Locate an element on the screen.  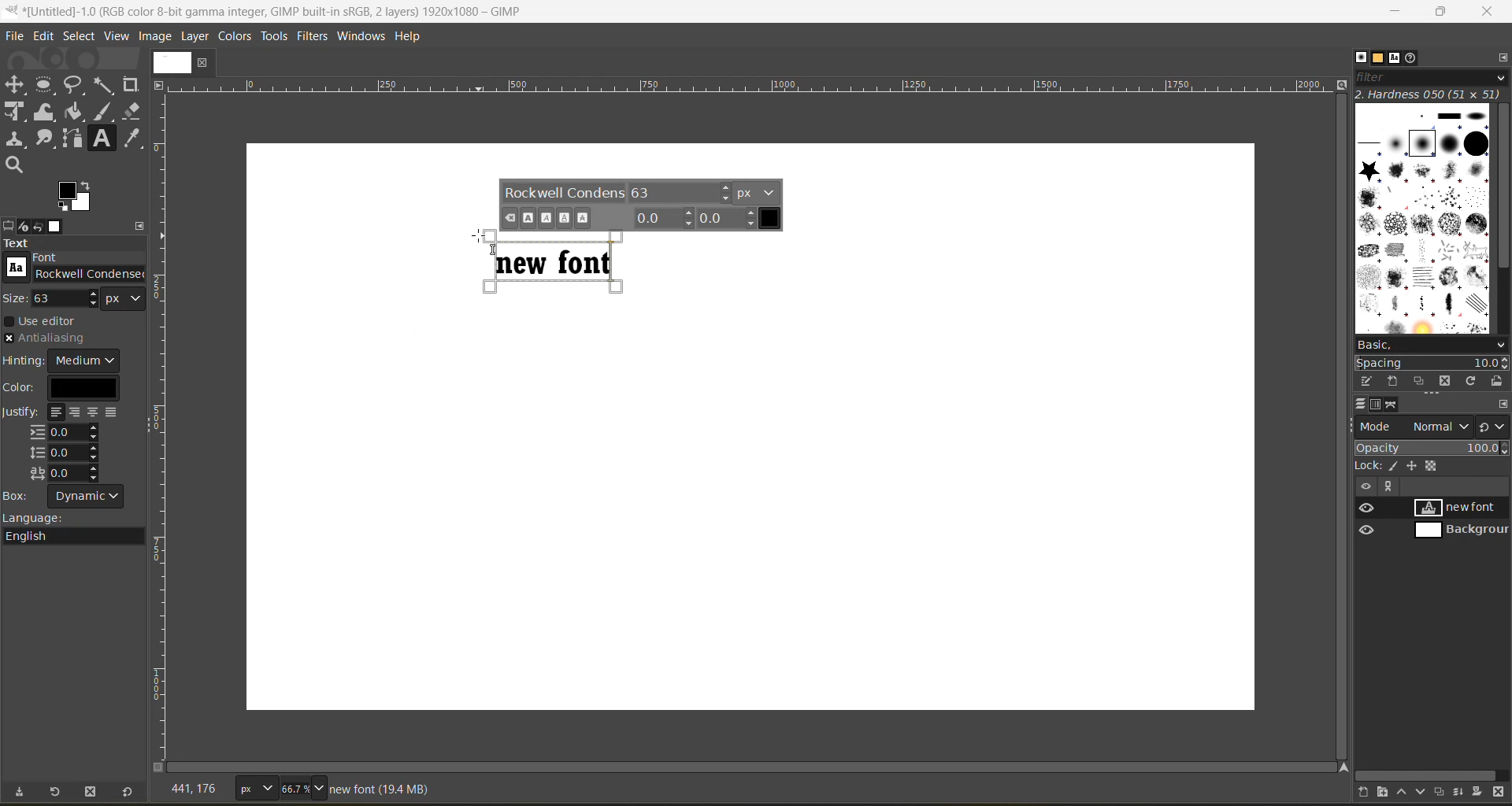
font is located at coordinates (76, 265).